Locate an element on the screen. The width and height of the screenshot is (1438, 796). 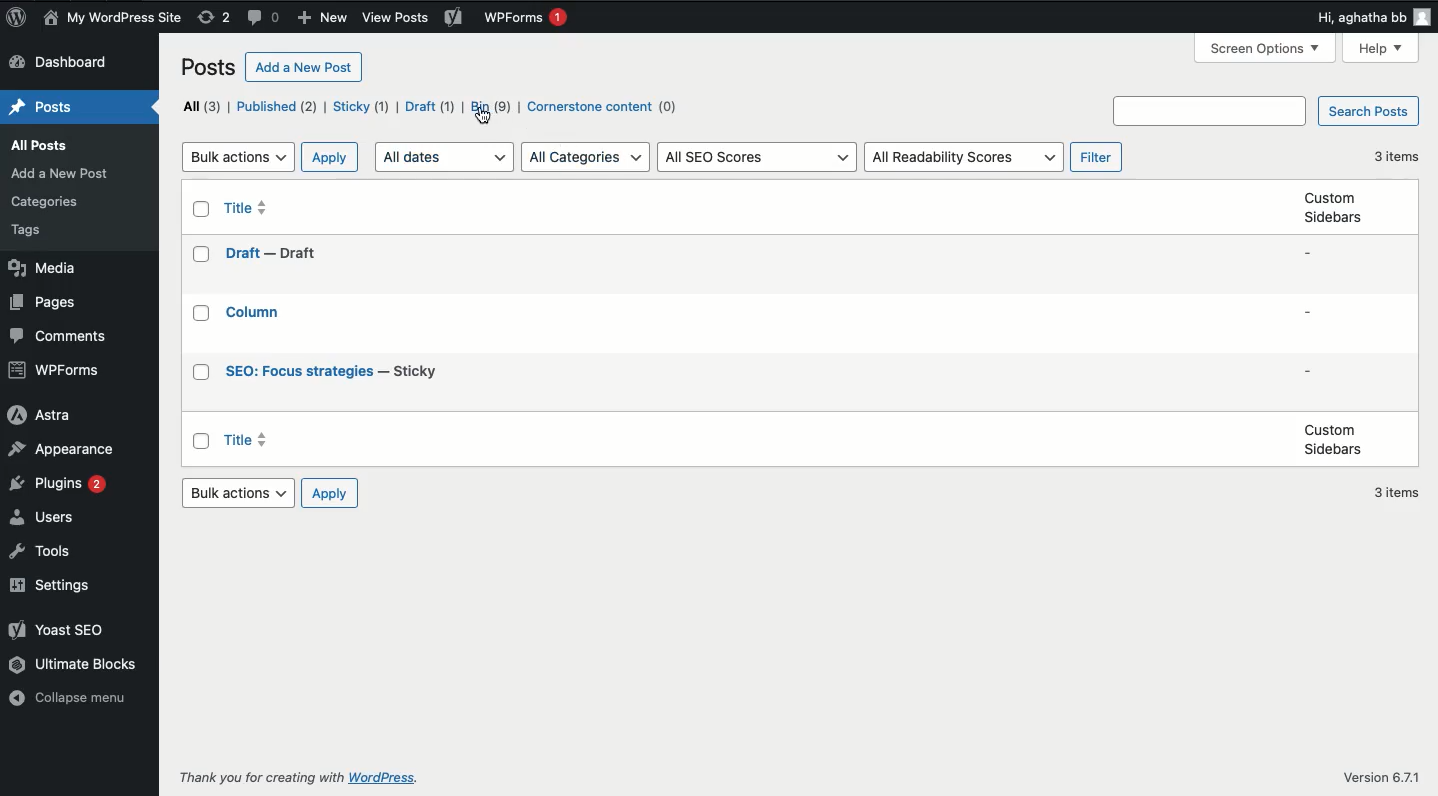
Version 6.7/1 is located at coordinates (1381, 777).